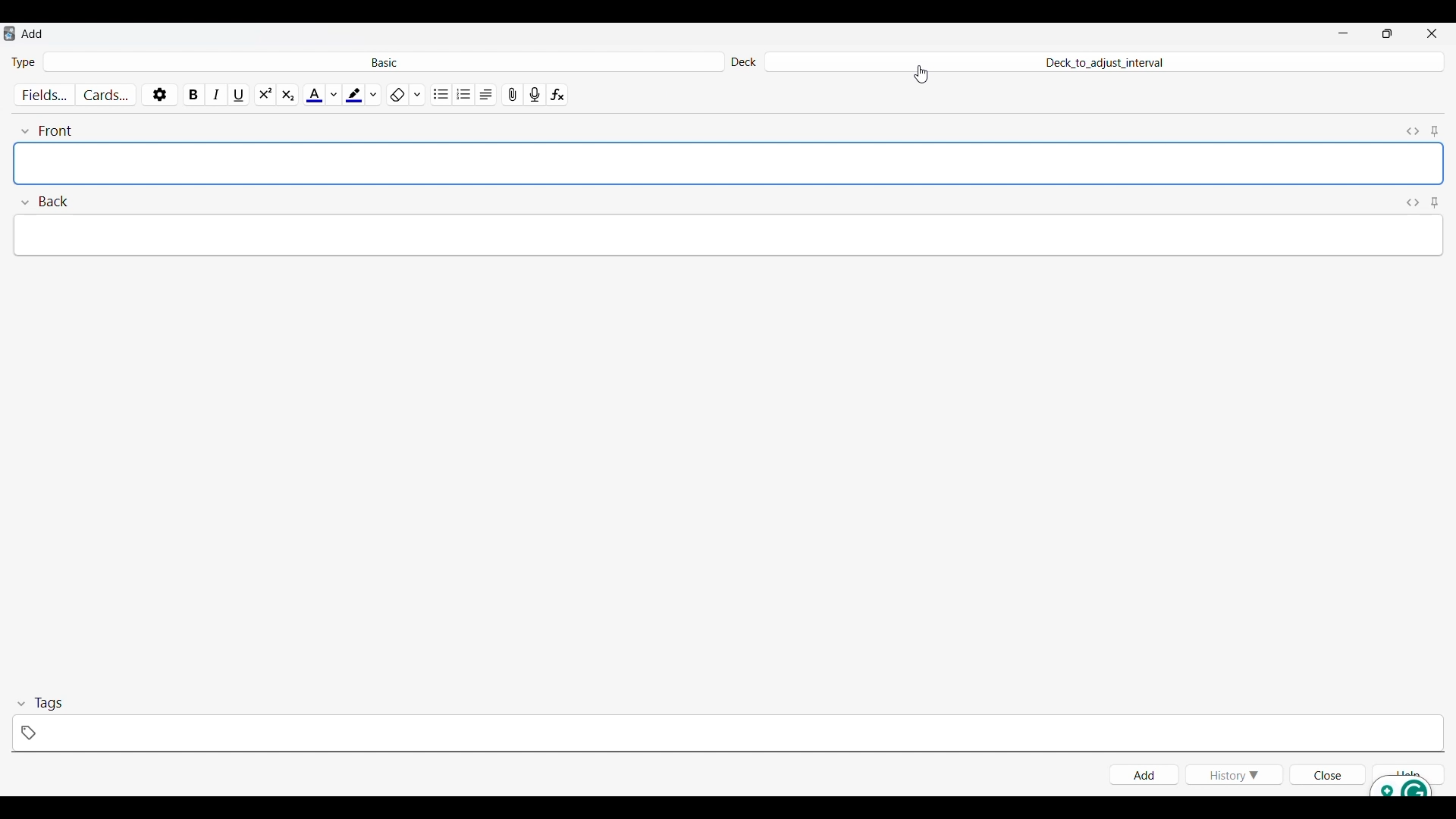 The width and height of the screenshot is (1456, 819). What do you see at coordinates (265, 95) in the screenshot?
I see `Super script` at bounding box center [265, 95].